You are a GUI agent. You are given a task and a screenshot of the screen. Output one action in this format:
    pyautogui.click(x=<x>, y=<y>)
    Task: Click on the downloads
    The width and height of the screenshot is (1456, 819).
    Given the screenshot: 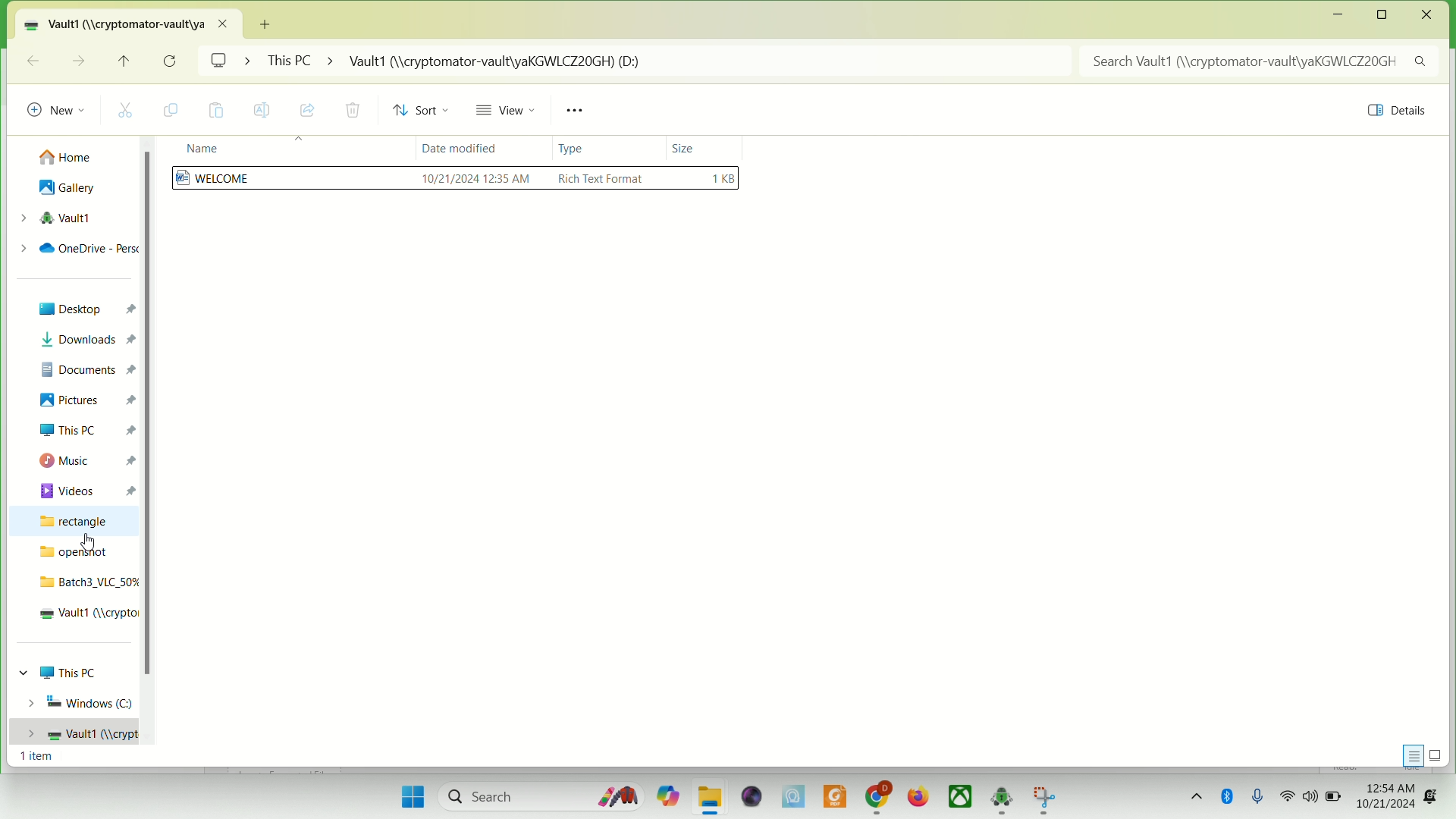 What is the action you would take?
    pyautogui.click(x=84, y=341)
    